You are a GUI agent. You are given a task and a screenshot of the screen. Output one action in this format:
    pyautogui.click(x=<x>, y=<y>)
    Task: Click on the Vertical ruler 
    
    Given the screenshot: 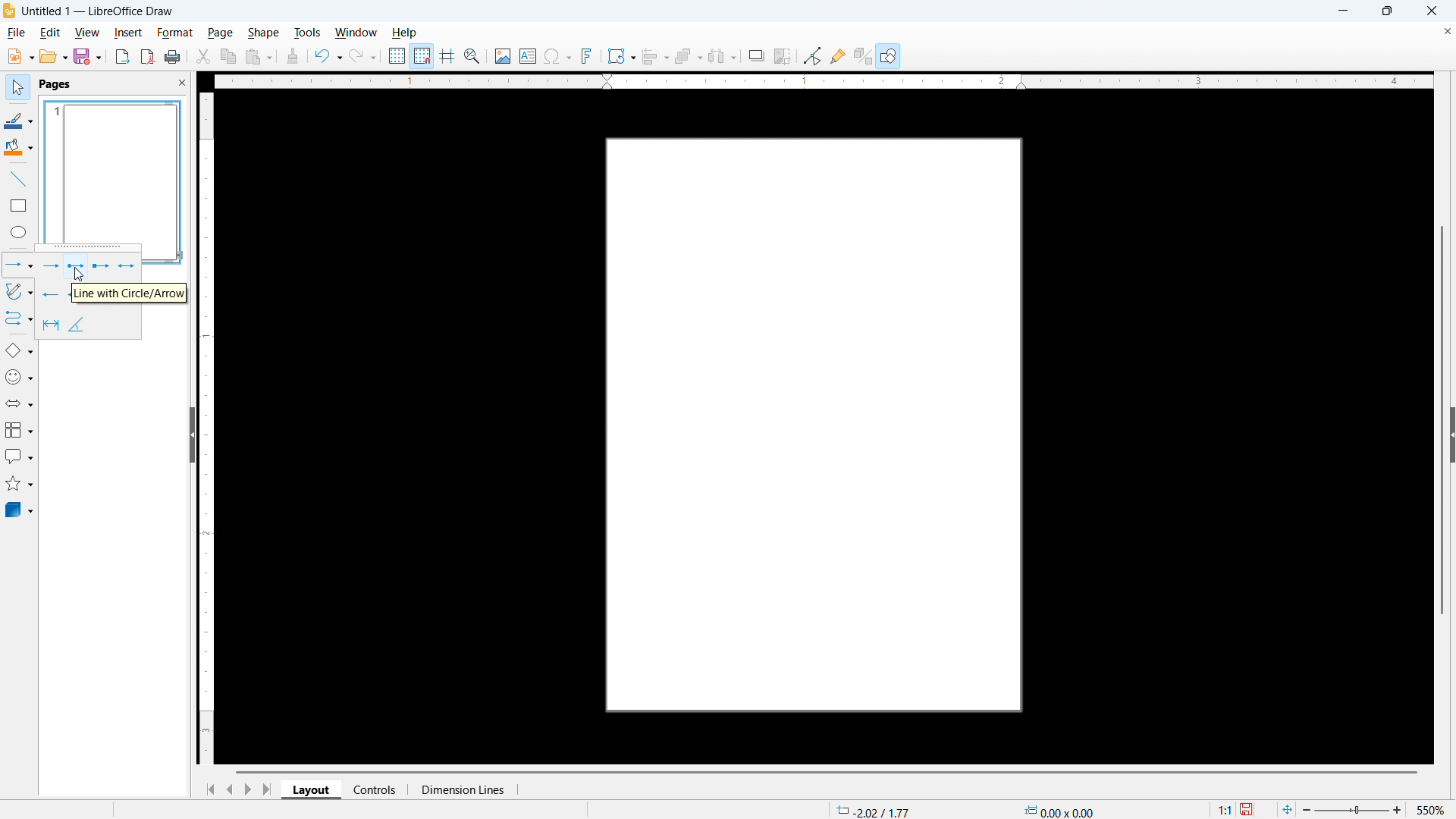 What is the action you would take?
    pyautogui.click(x=207, y=428)
    